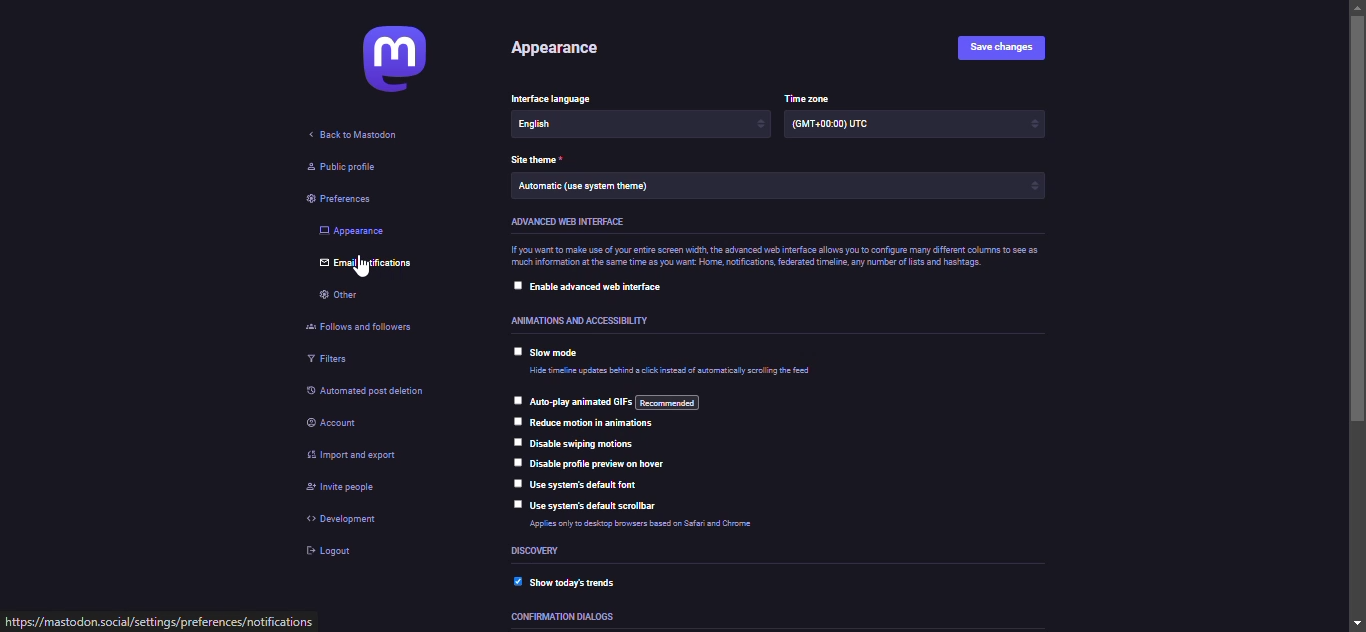 Image resolution: width=1366 pixels, height=632 pixels. Describe the element at coordinates (344, 424) in the screenshot. I see `account` at that location.